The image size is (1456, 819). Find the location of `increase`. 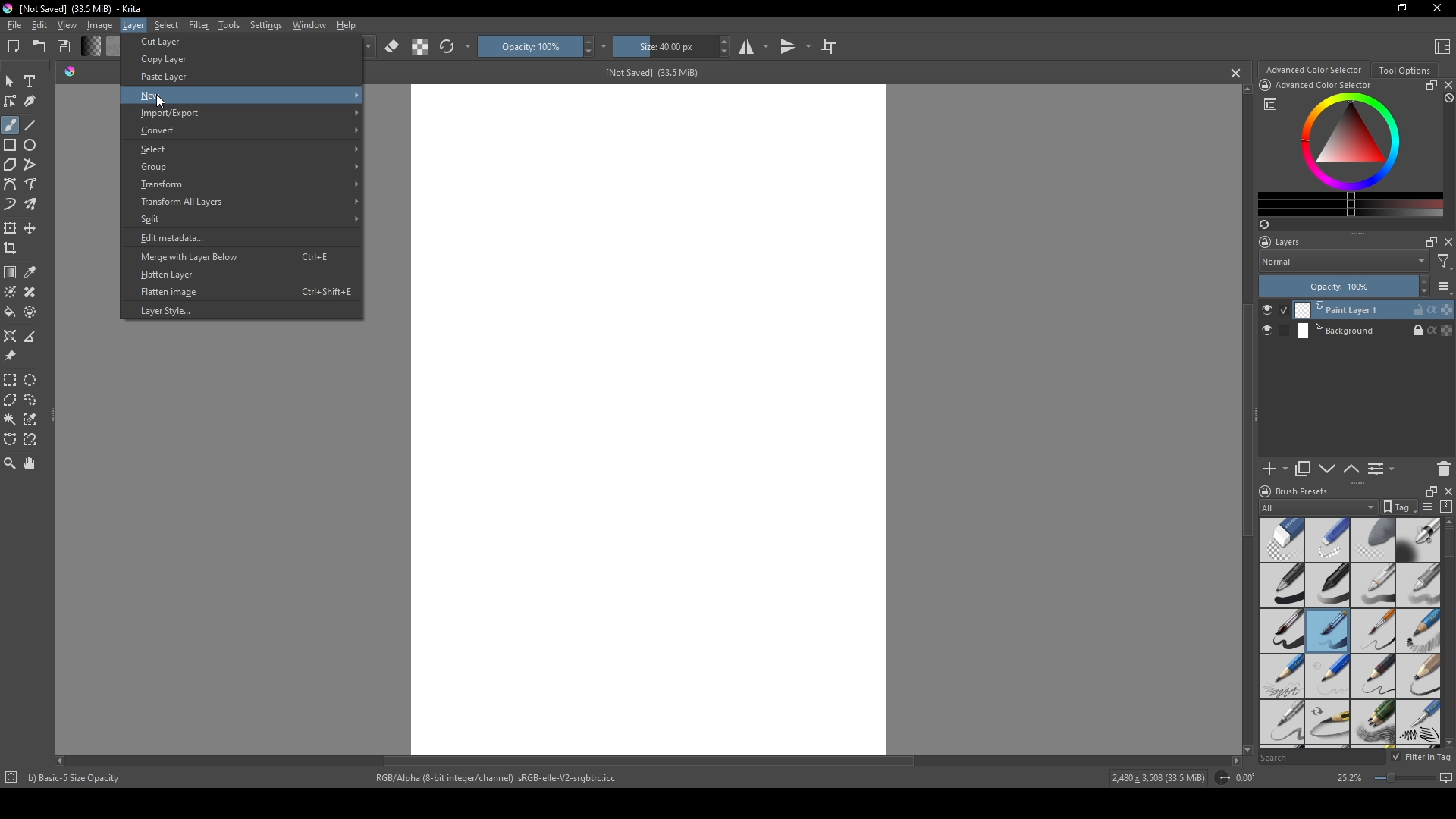

increase is located at coordinates (1423, 281).